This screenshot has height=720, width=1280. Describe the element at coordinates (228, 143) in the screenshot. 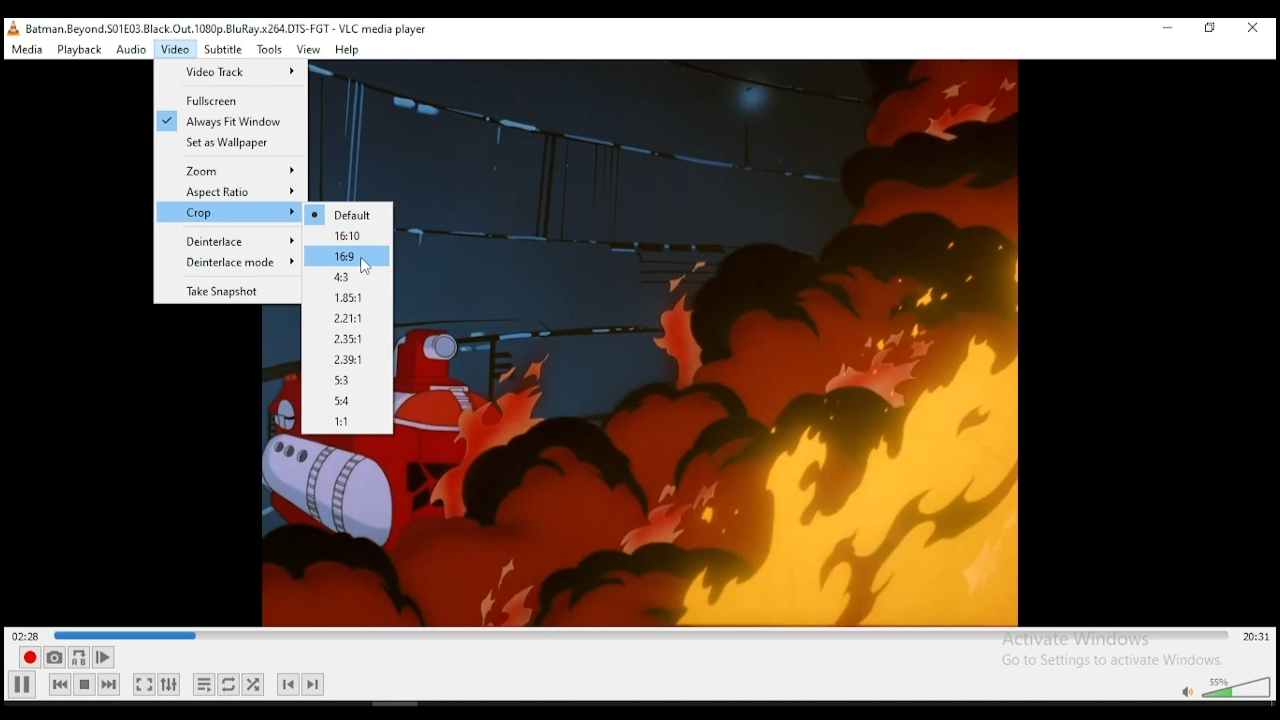

I see `Set as wallpaper` at that location.